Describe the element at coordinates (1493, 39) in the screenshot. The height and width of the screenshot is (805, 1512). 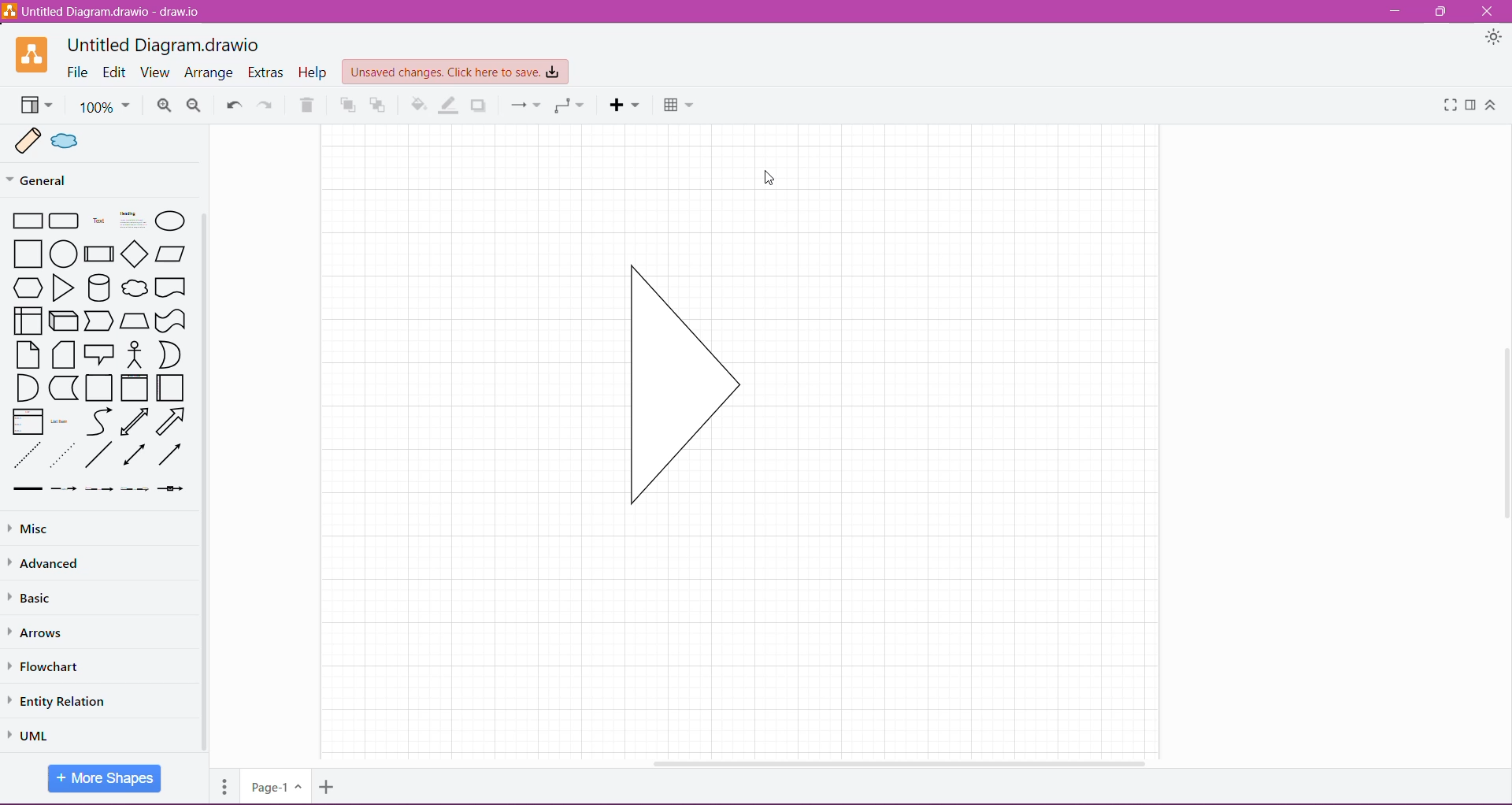
I see `Appearance` at that location.